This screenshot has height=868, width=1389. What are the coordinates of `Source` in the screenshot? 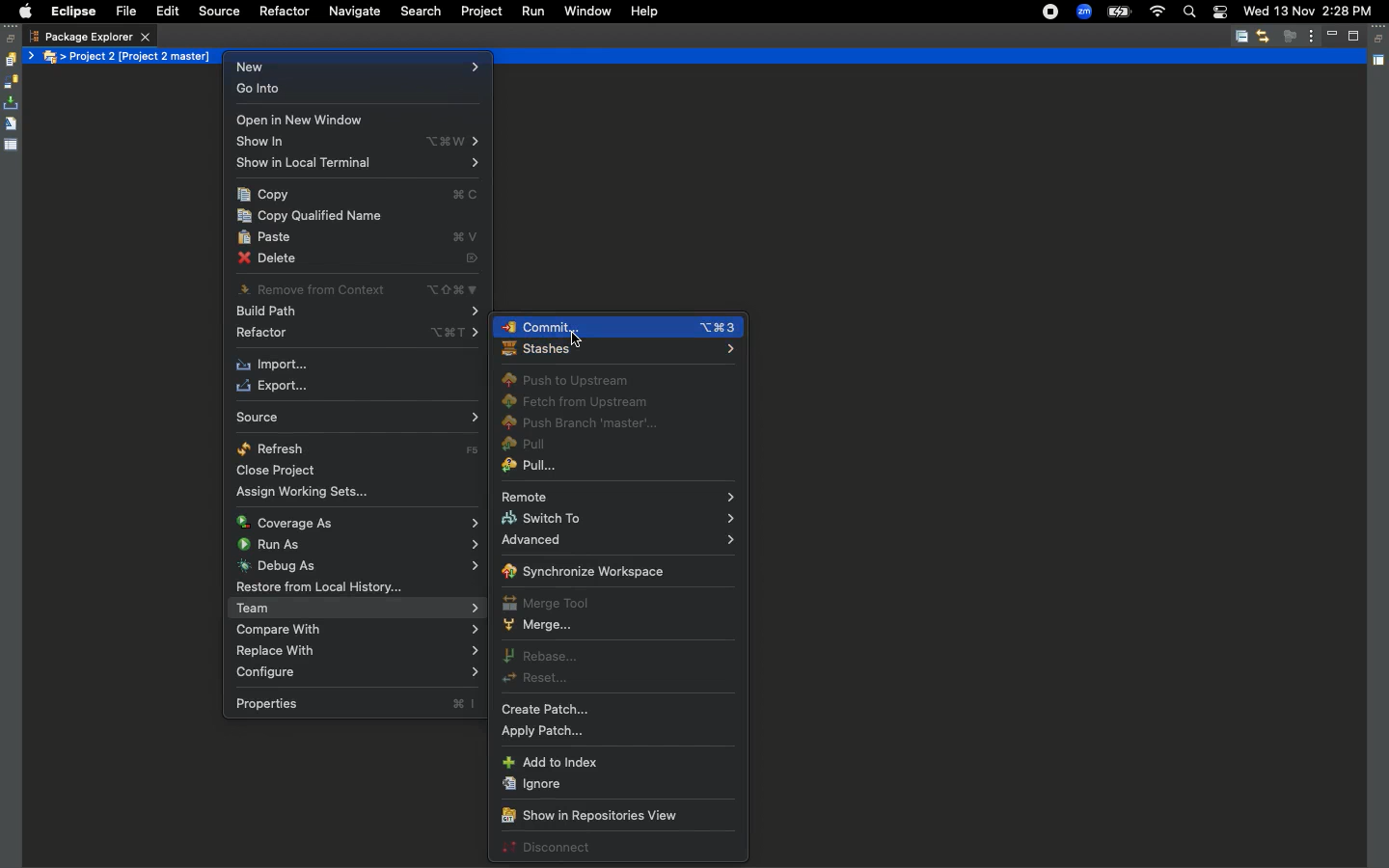 It's located at (216, 12).